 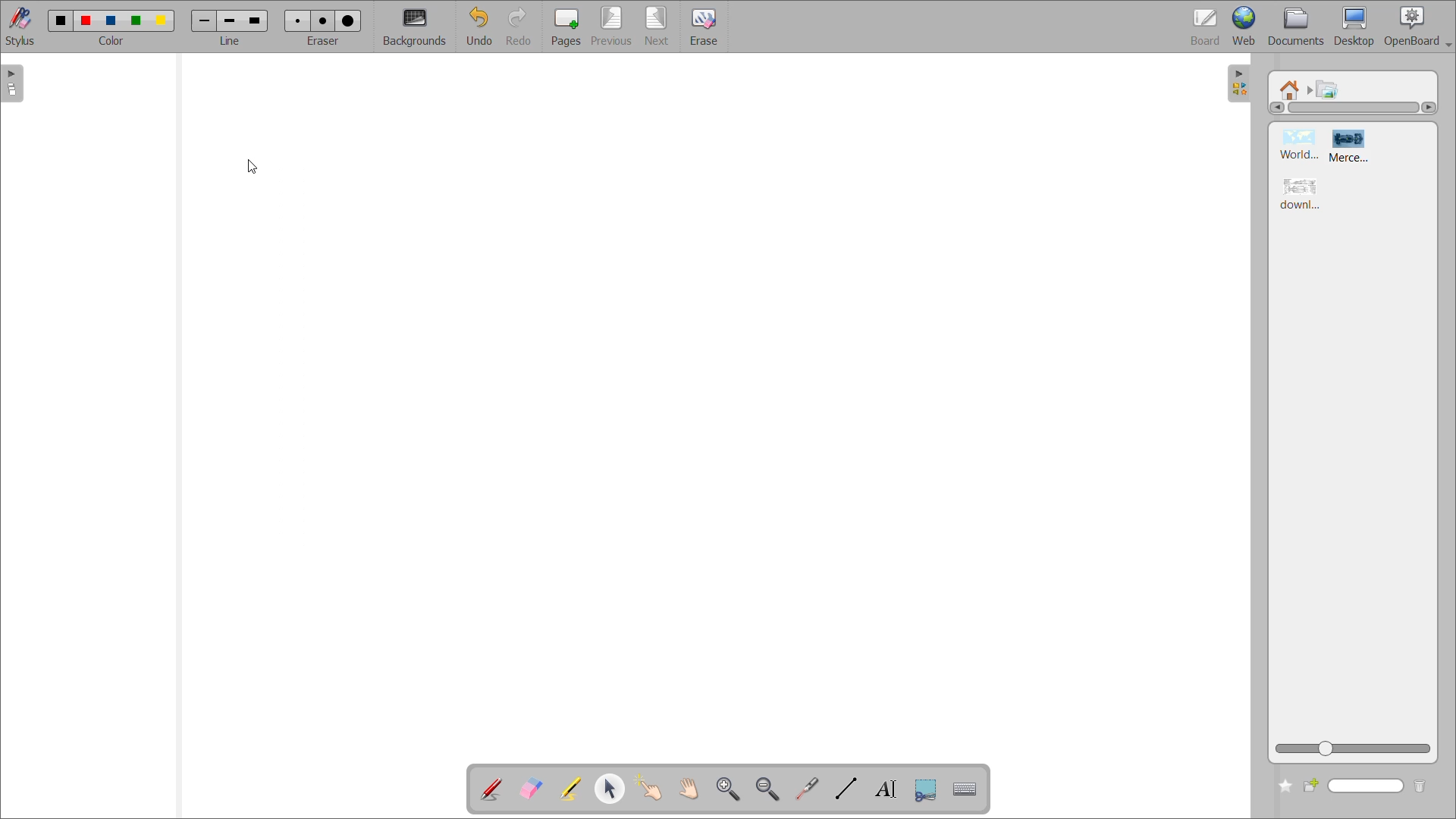 I want to click on add to favorites, so click(x=1283, y=789).